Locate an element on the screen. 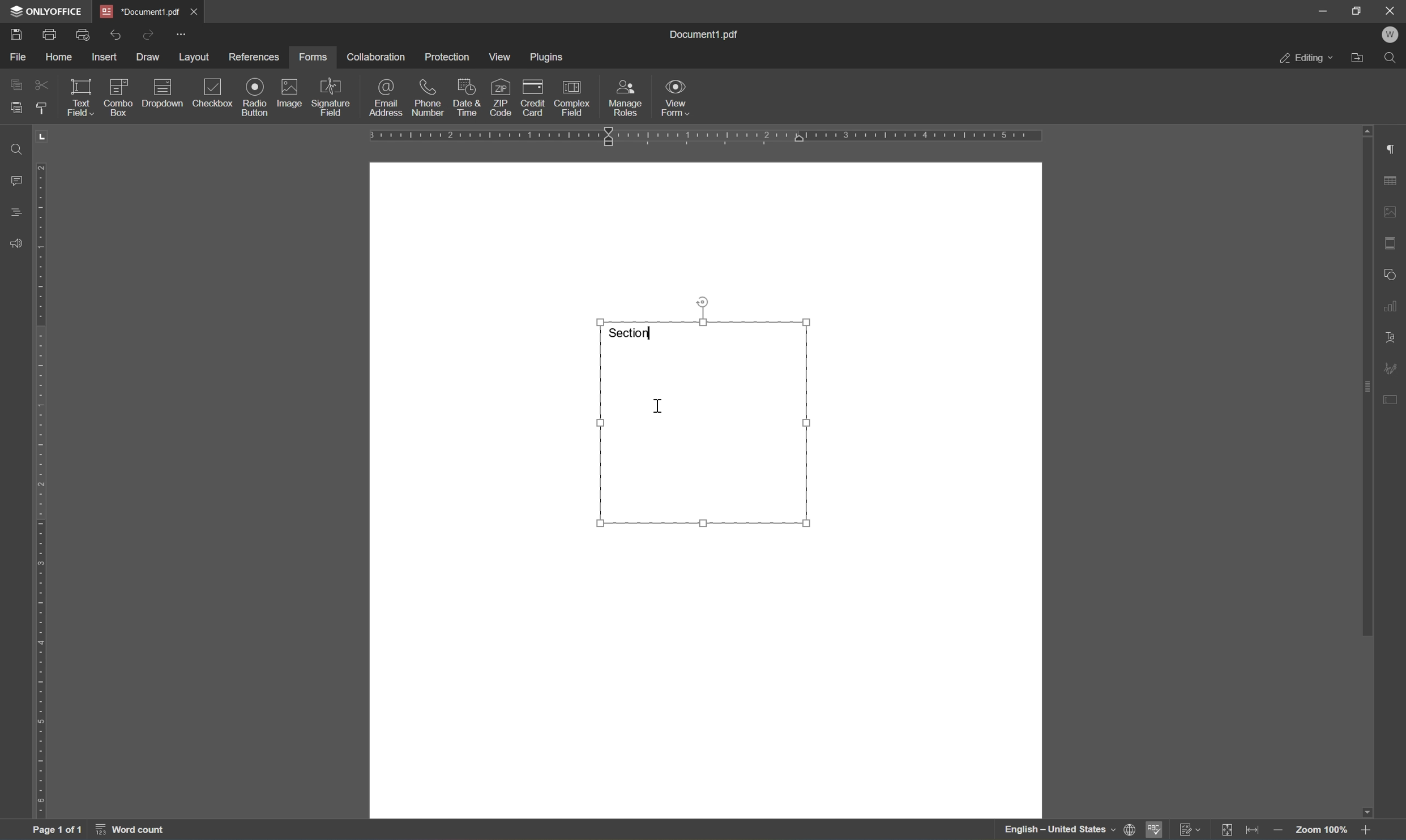 The width and height of the screenshot is (1406, 840). forms is located at coordinates (317, 56).